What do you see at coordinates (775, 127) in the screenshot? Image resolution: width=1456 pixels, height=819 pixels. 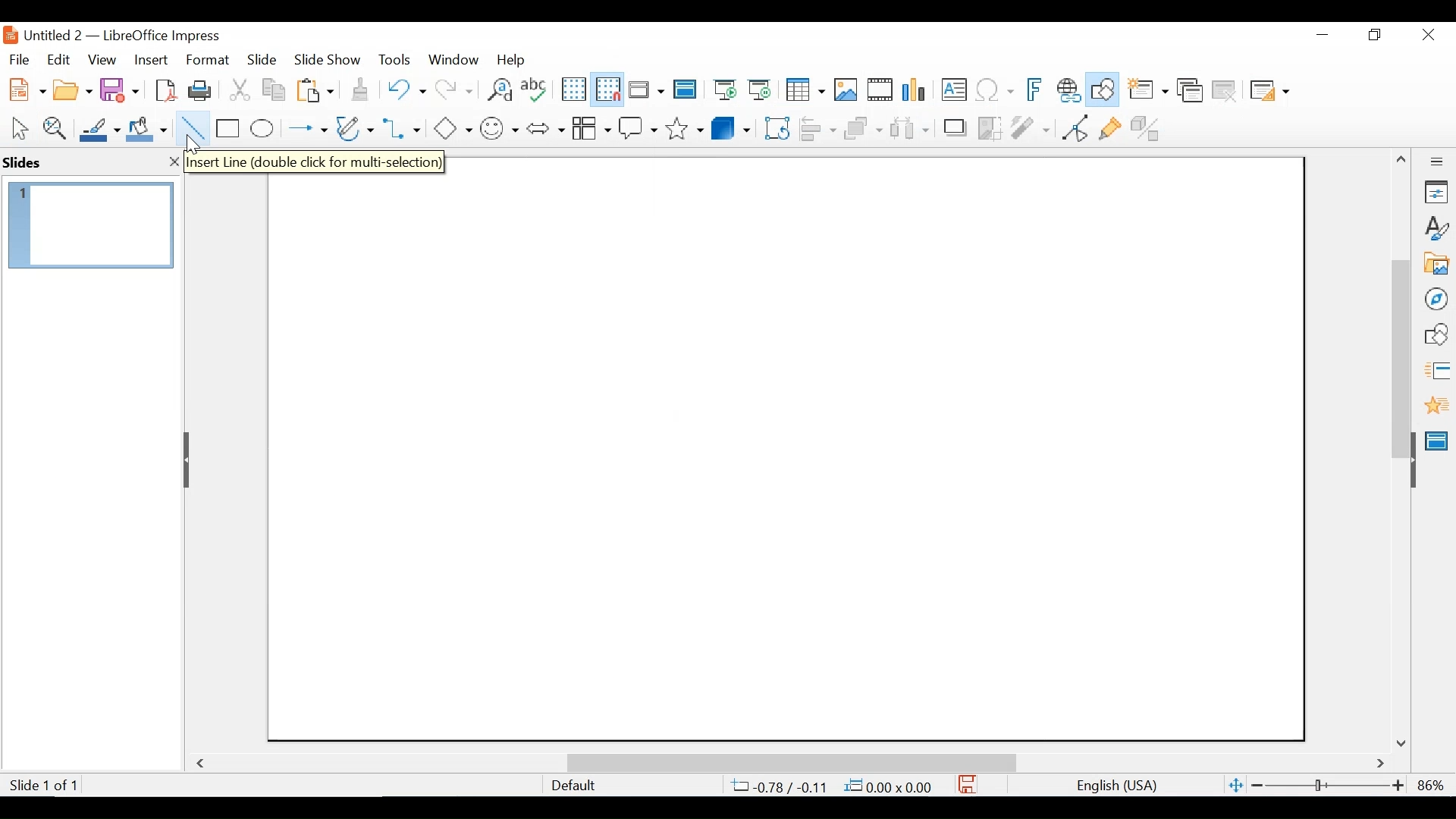 I see `Rotate` at bounding box center [775, 127].